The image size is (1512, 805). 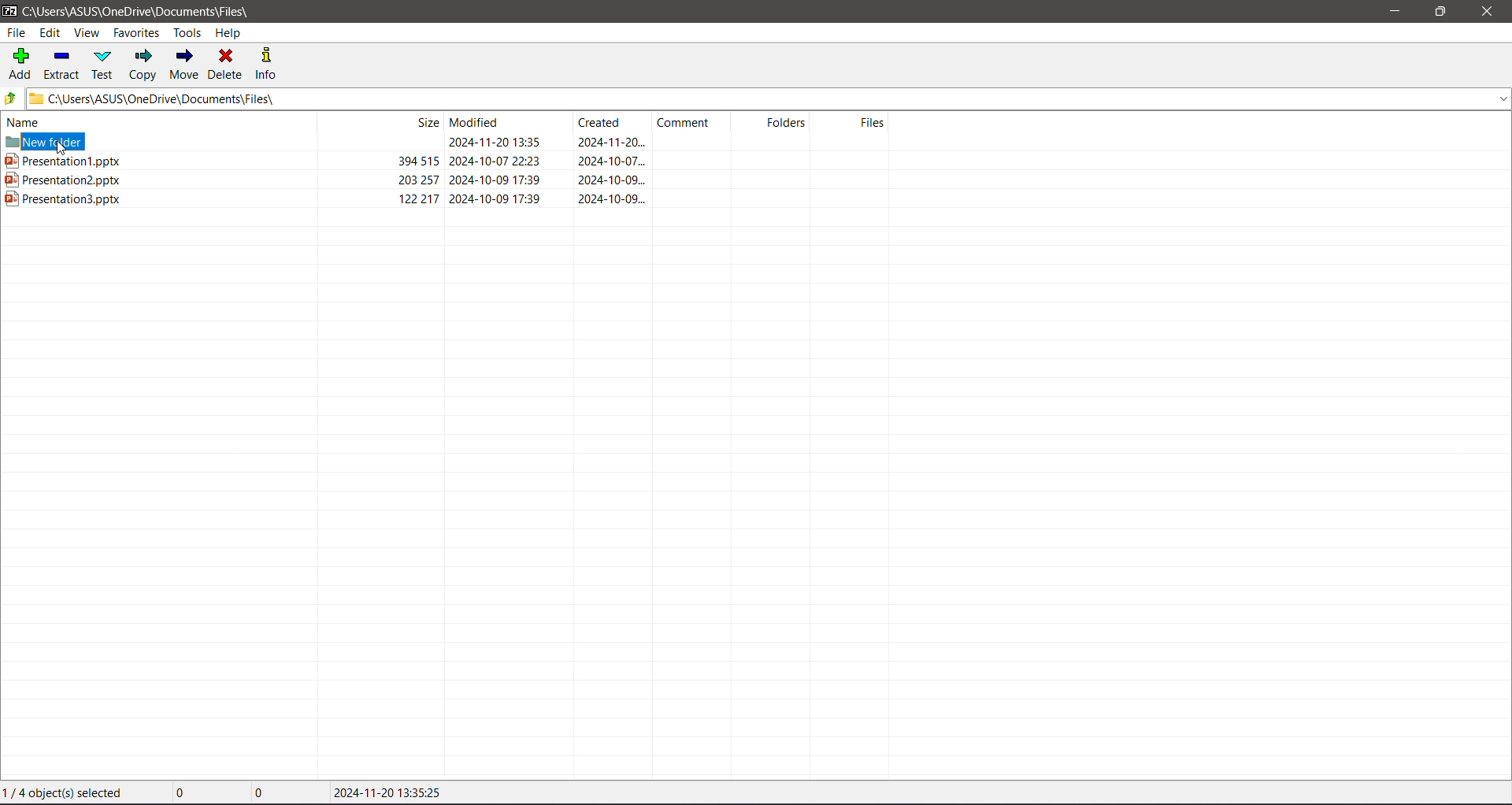 I want to click on Total Size of selected file(s), so click(x=201, y=793).